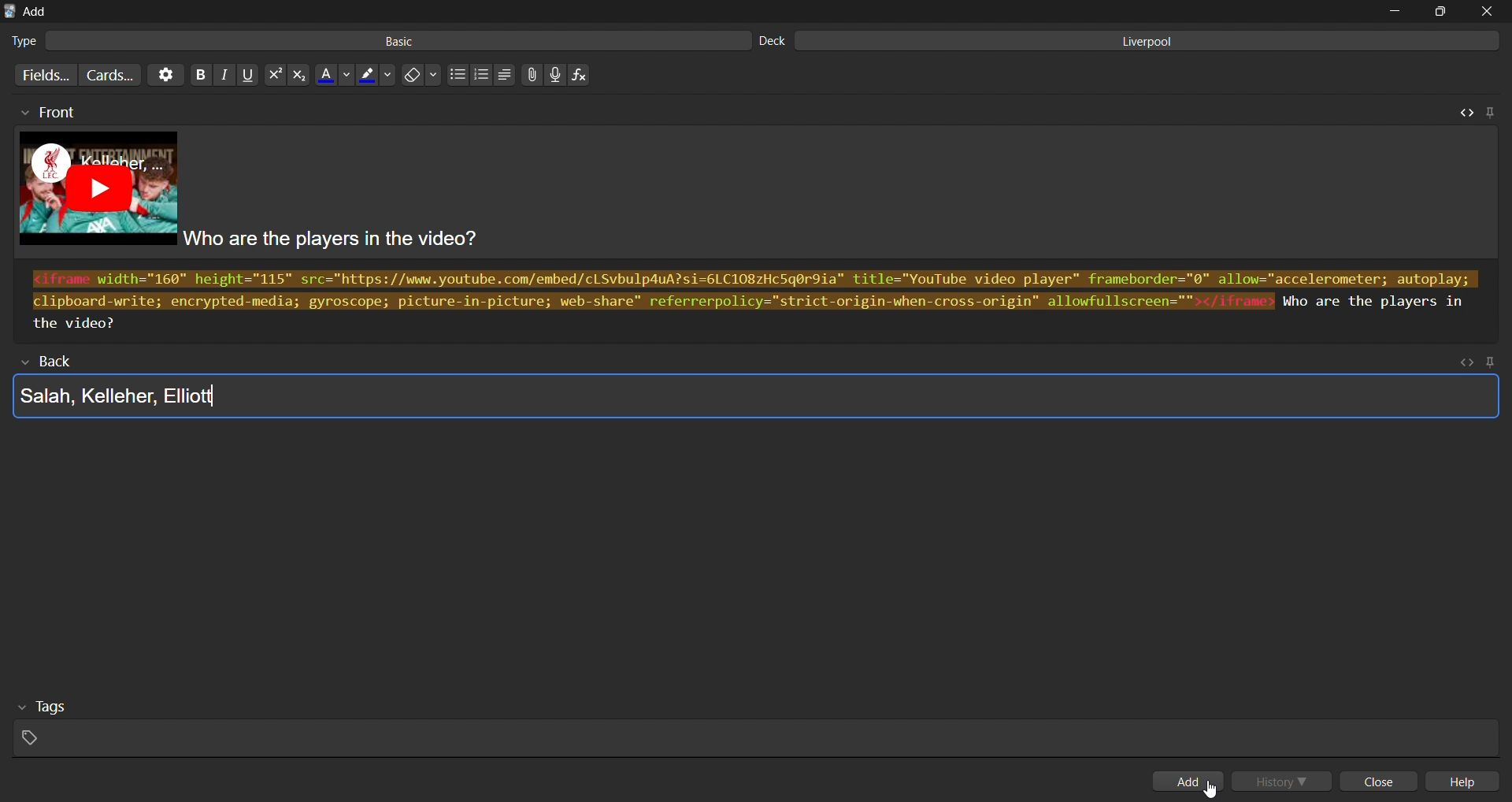 This screenshot has height=802, width=1512. What do you see at coordinates (1285, 780) in the screenshot?
I see `history` at bounding box center [1285, 780].